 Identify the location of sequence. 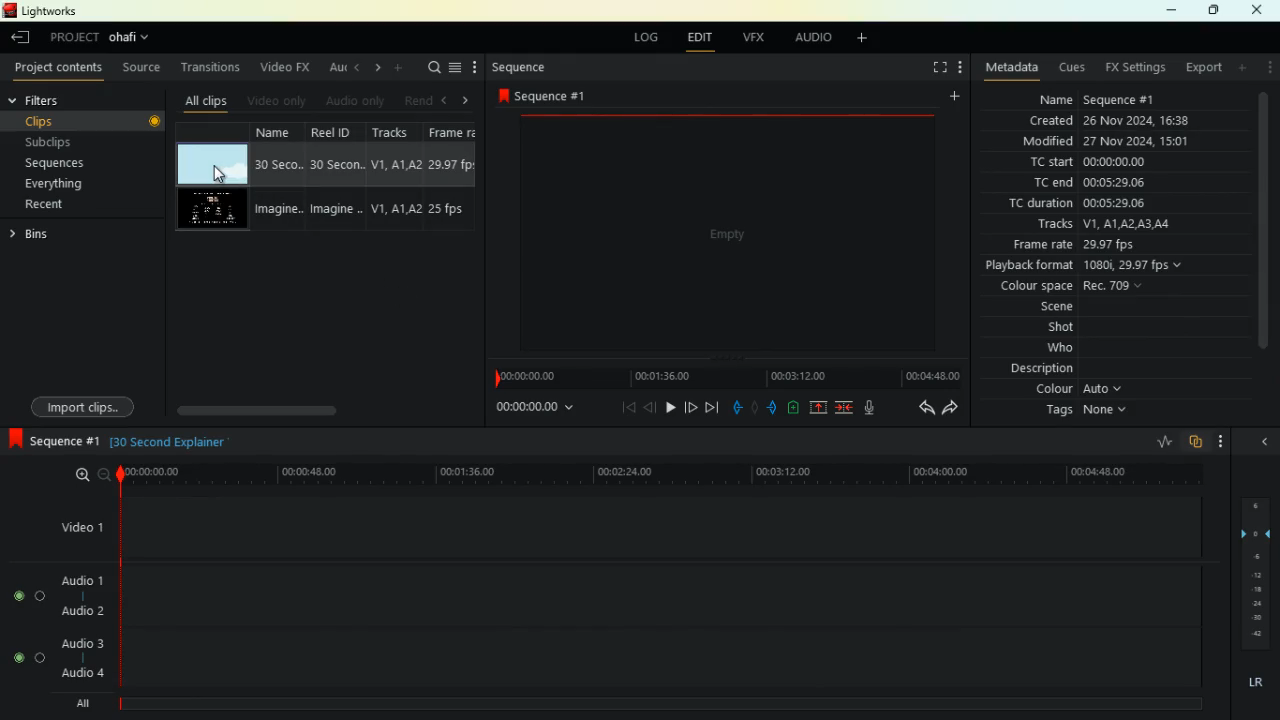
(519, 69).